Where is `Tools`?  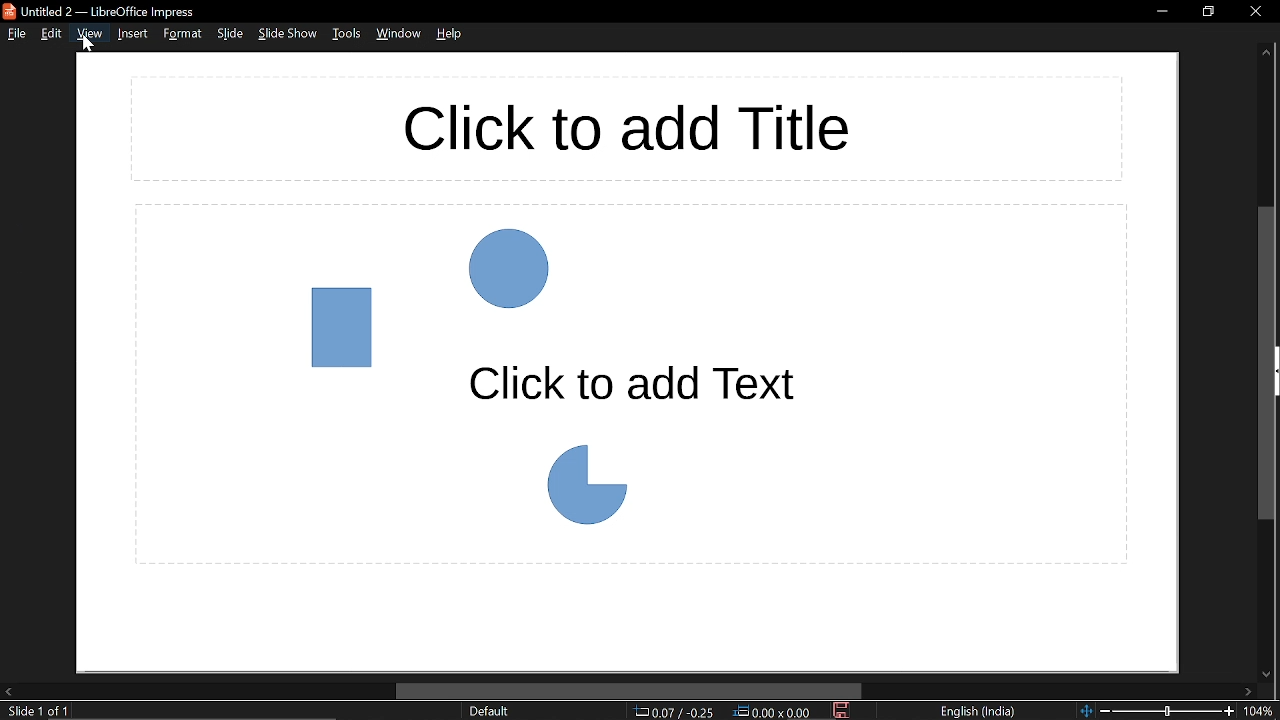
Tools is located at coordinates (347, 35).